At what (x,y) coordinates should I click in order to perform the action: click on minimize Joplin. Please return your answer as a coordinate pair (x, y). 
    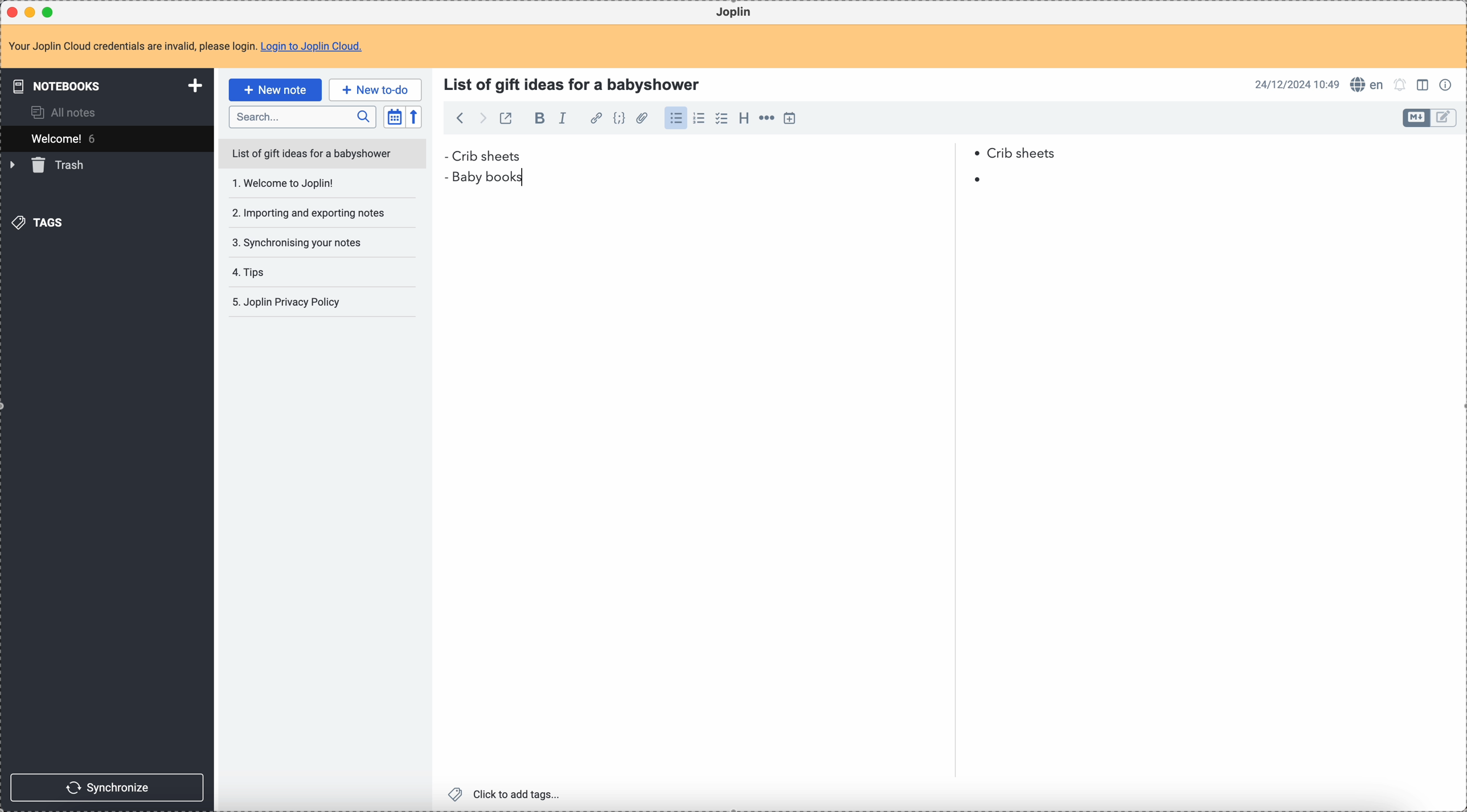
    Looking at the image, I should click on (32, 12).